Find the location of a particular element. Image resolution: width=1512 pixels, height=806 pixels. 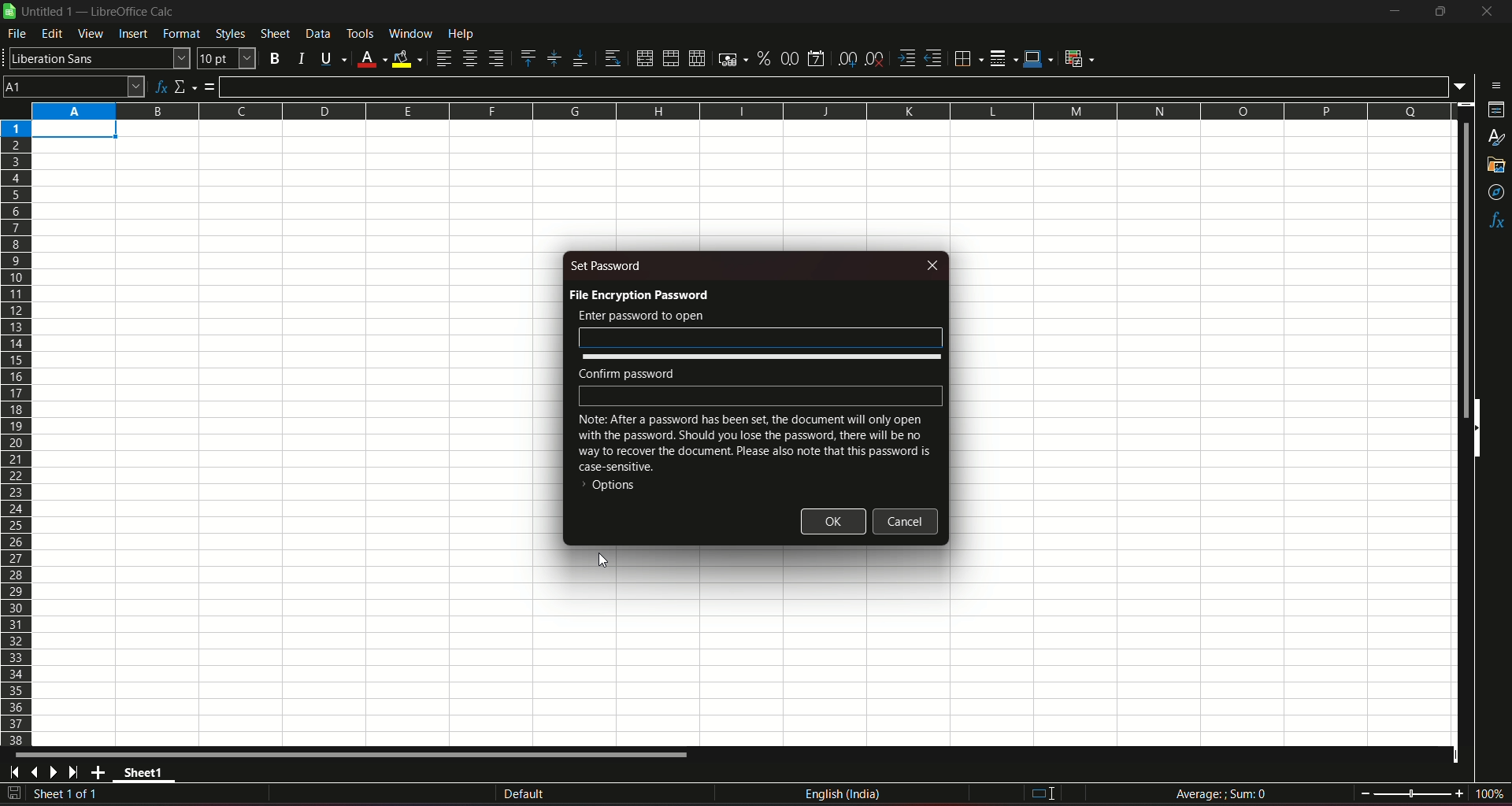

OK is located at coordinates (834, 521).